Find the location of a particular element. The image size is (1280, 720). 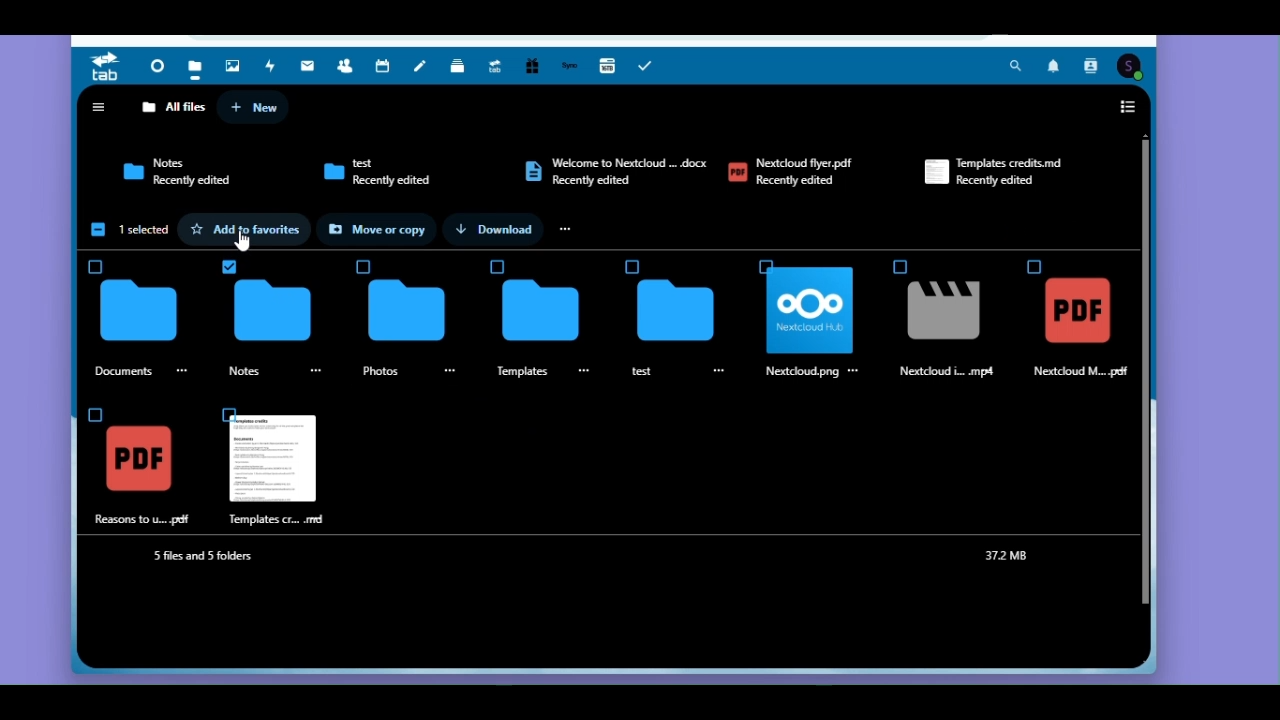

Icon is located at coordinates (532, 172).